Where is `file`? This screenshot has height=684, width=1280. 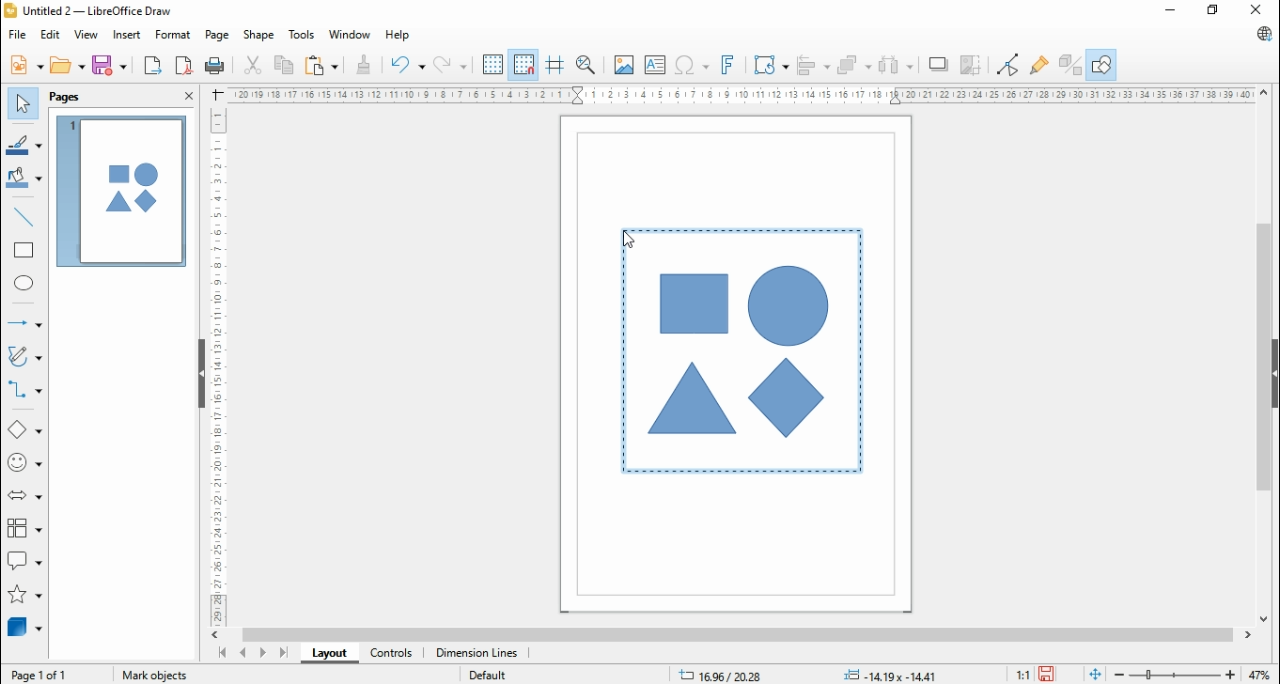
file is located at coordinates (18, 34).